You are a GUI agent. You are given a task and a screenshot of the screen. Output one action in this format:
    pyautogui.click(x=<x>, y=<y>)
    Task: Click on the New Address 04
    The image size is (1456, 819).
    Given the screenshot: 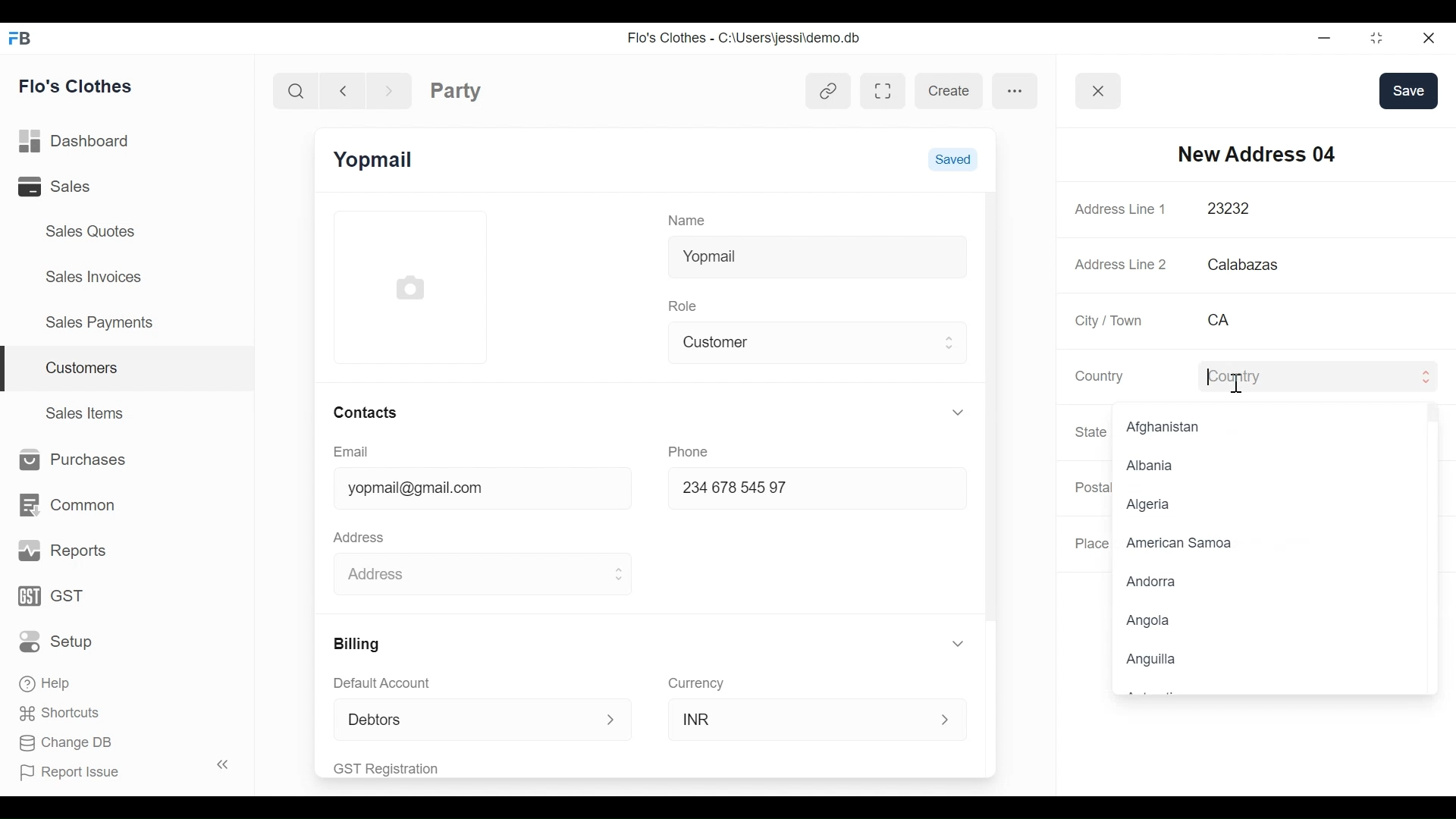 What is the action you would take?
    pyautogui.click(x=1257, y=153)
    